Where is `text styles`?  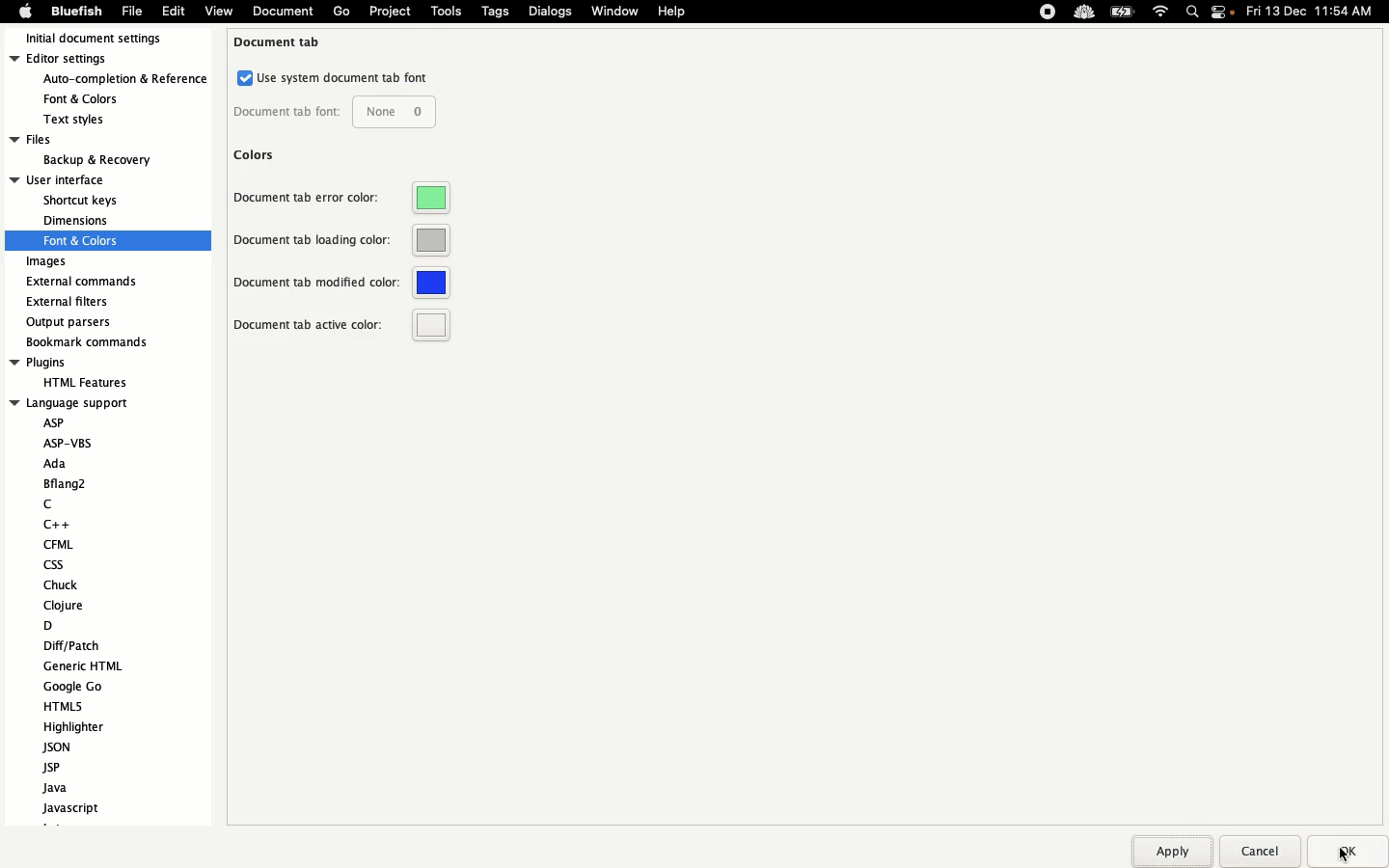
text styles is located at coordinates (87, 120).